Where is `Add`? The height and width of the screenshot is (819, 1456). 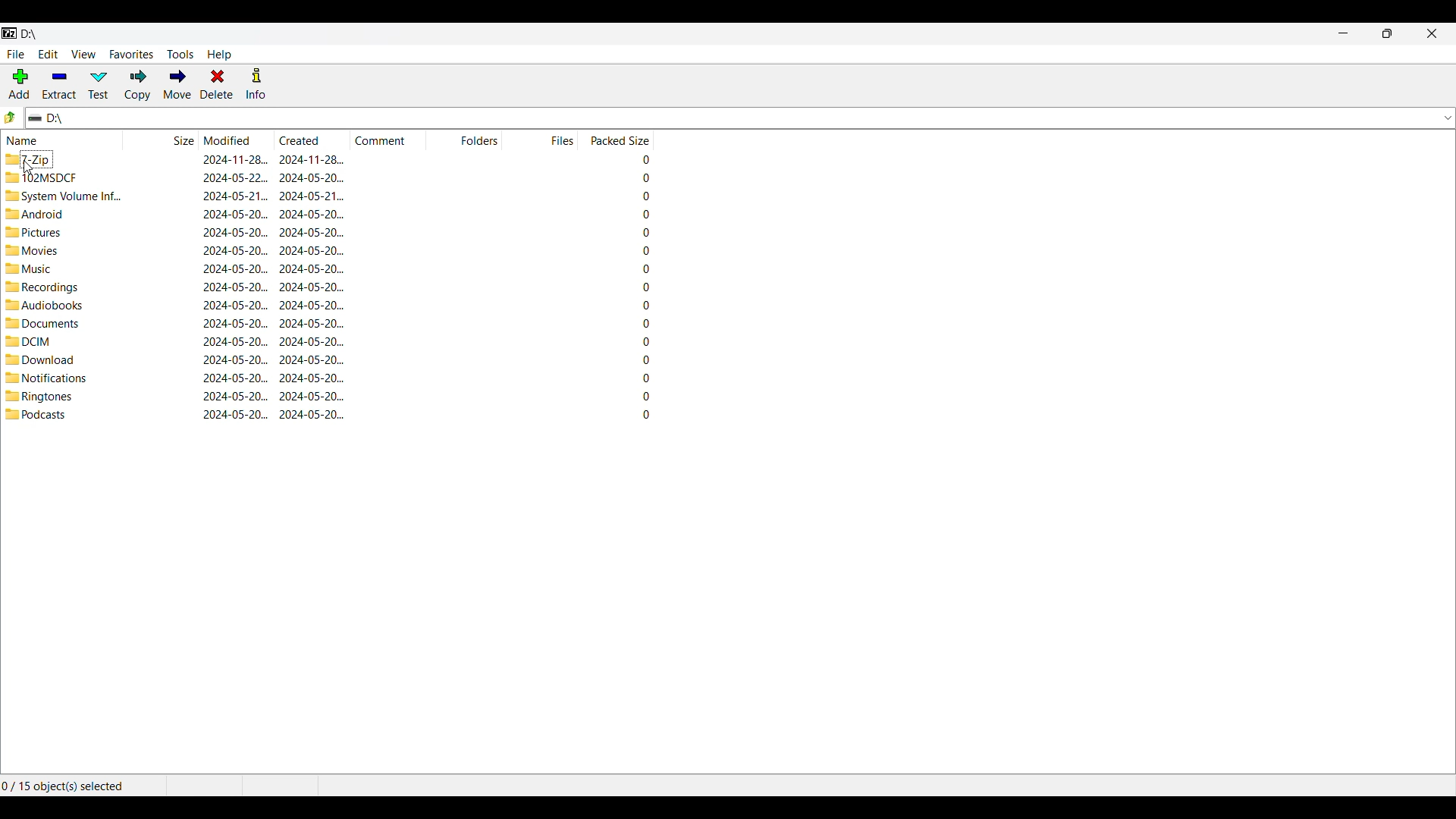 Add is located at coordinates (19, 83).